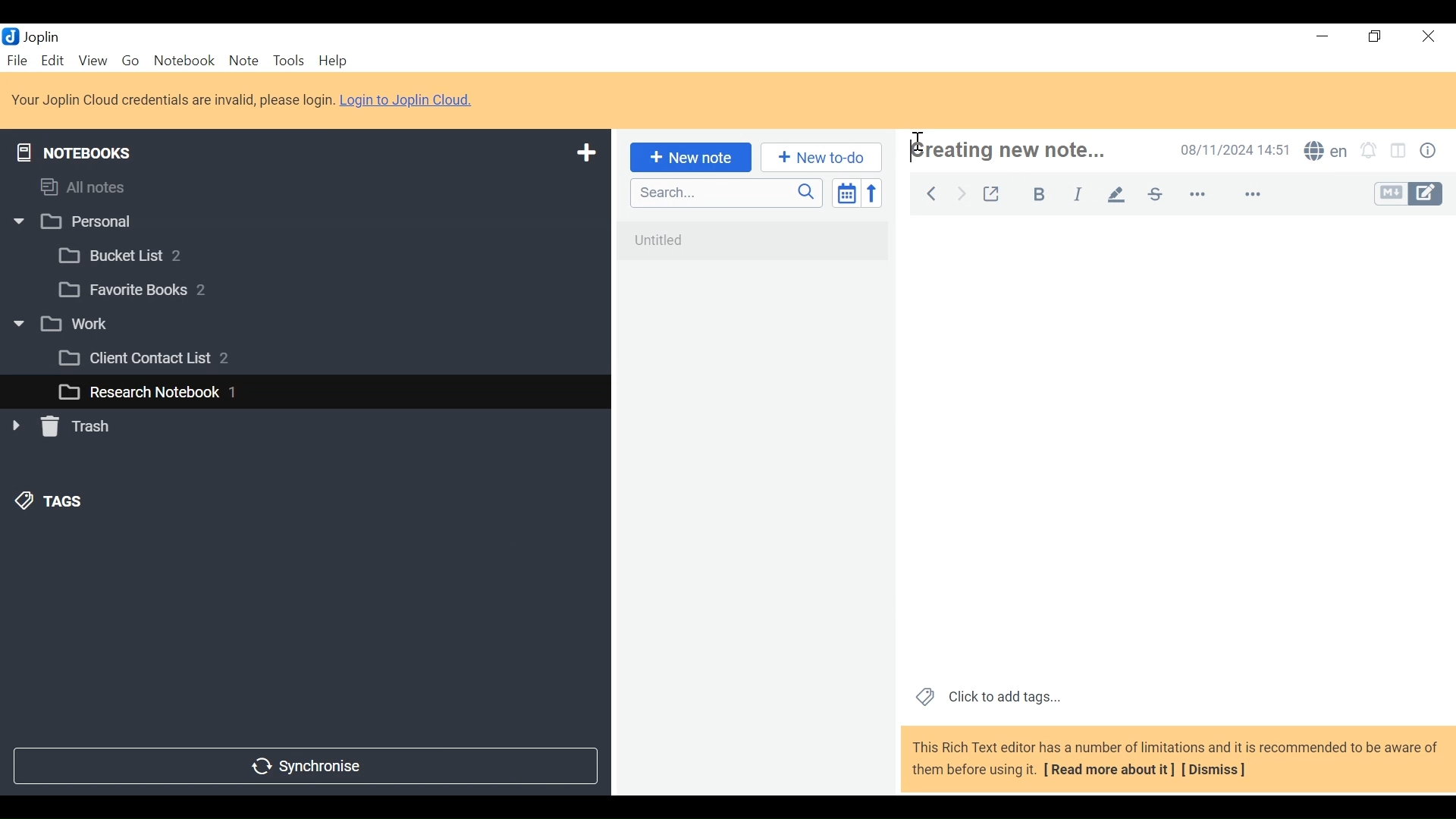 This screenshot has width=1456, height=819. What do you see at coordinates (875, 193) in the screenshot?
I see `Reverse Sort order` at bounding box center [875, 193].